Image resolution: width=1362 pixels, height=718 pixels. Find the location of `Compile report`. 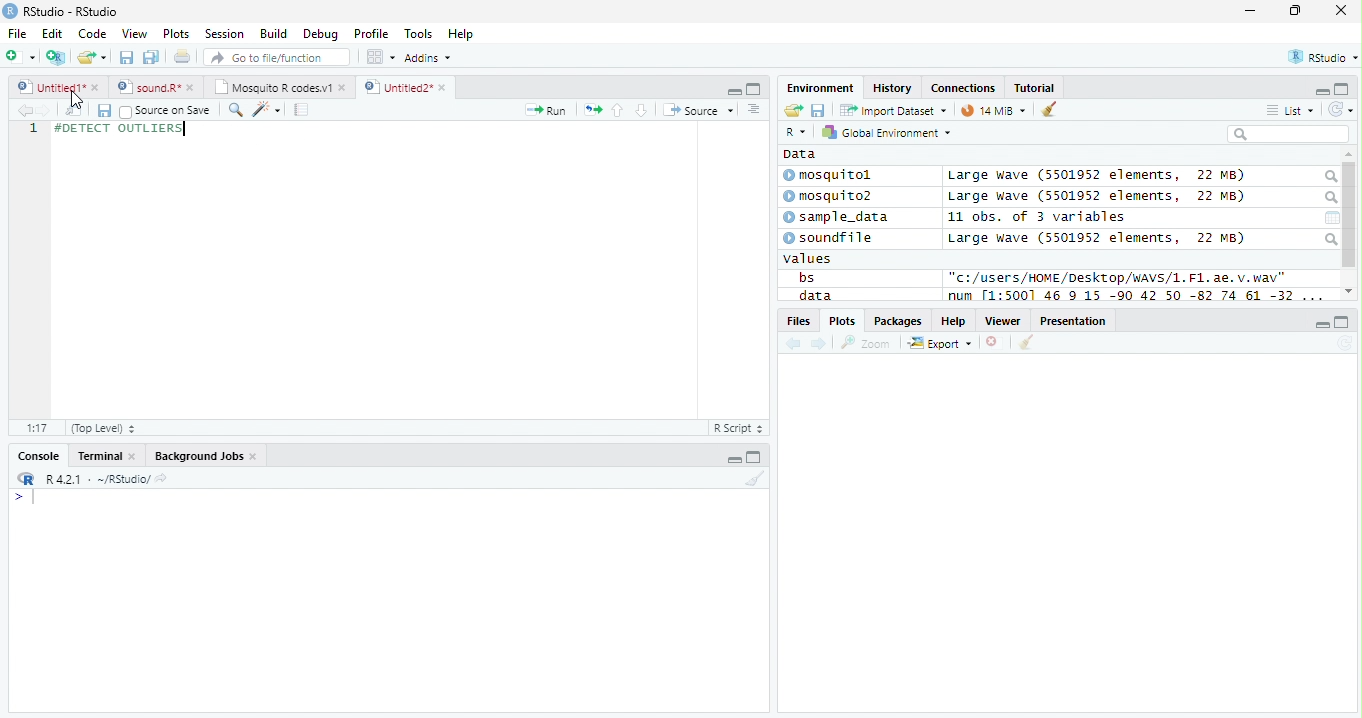

Compile report is located at coordinates (302, 110).